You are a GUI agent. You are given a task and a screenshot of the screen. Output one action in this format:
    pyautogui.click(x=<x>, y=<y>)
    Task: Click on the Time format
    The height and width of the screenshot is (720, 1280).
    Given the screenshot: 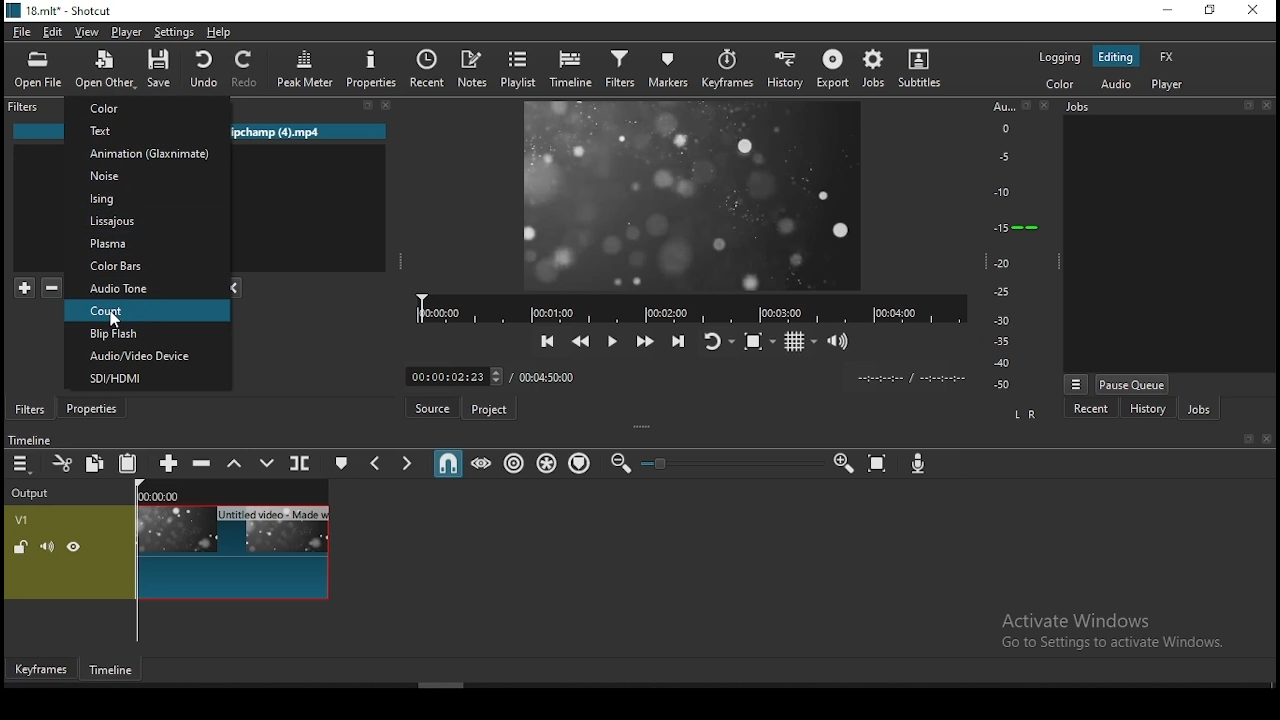 What is the action you would take?
    pyautogui.click(x=911, y=377)
    